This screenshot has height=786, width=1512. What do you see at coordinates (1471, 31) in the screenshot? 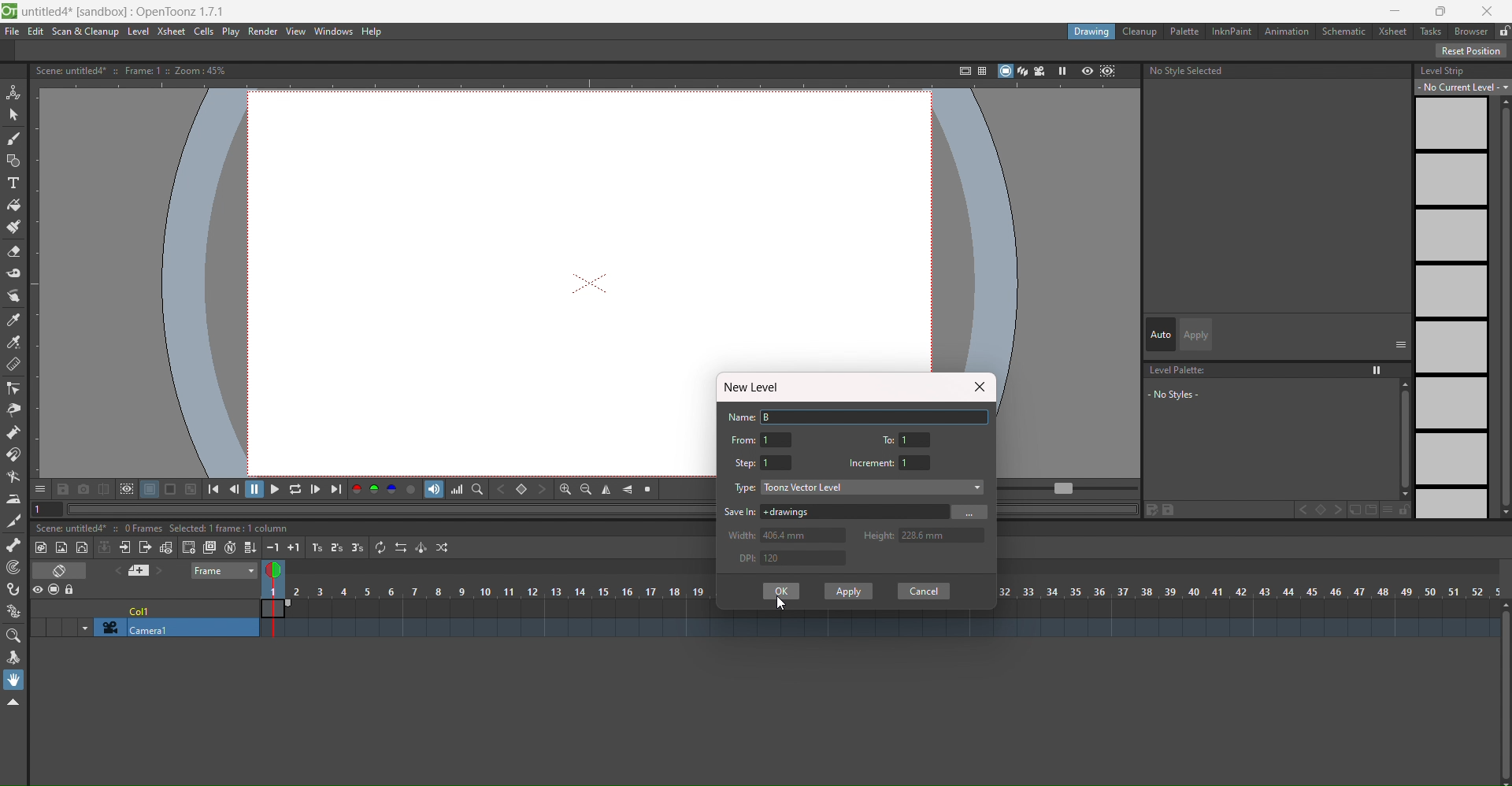
I see `b` at bounding box center [1471, 31].